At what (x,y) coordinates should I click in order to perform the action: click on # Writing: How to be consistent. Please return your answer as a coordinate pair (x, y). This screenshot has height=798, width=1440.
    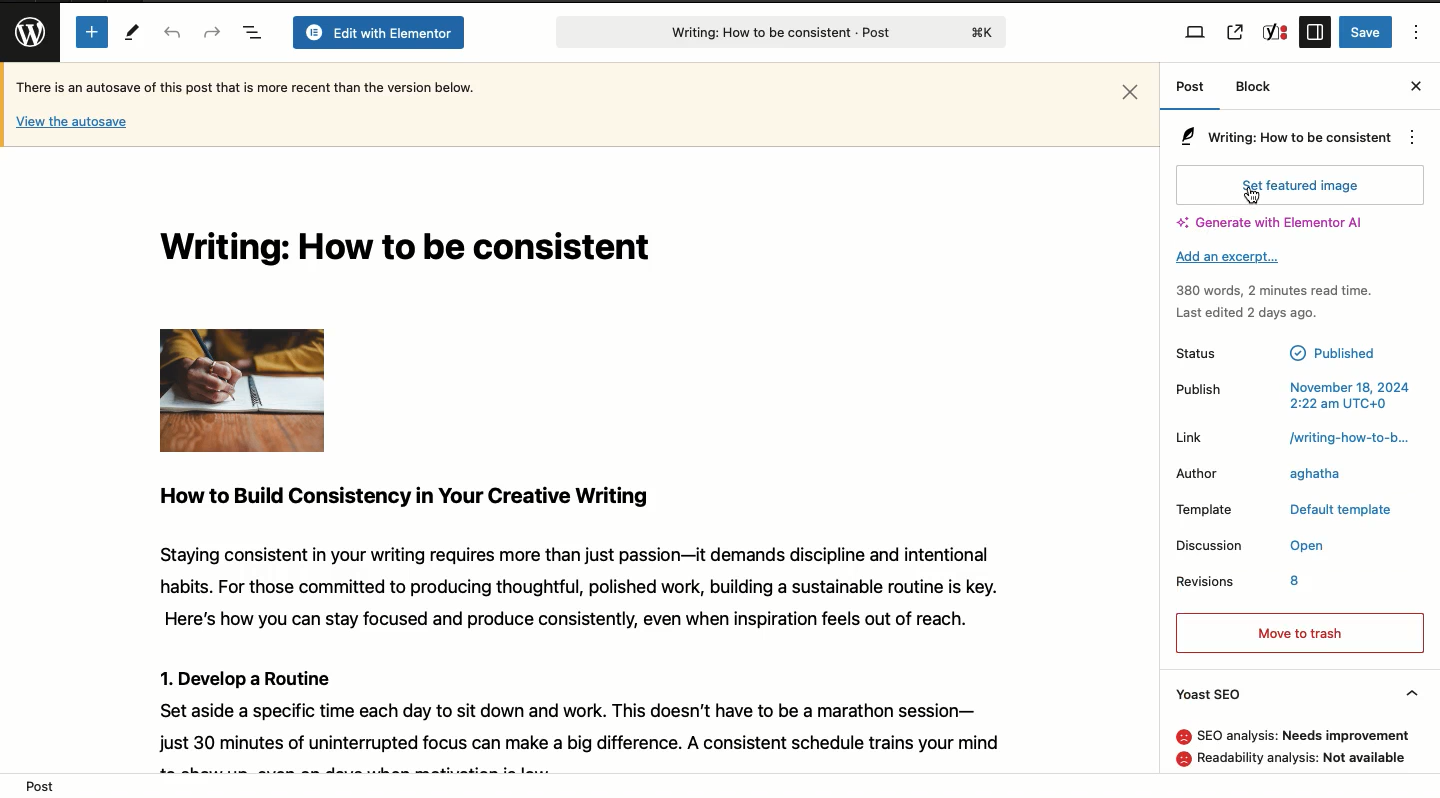
    Looking at the image, I should click on (1278, 139).